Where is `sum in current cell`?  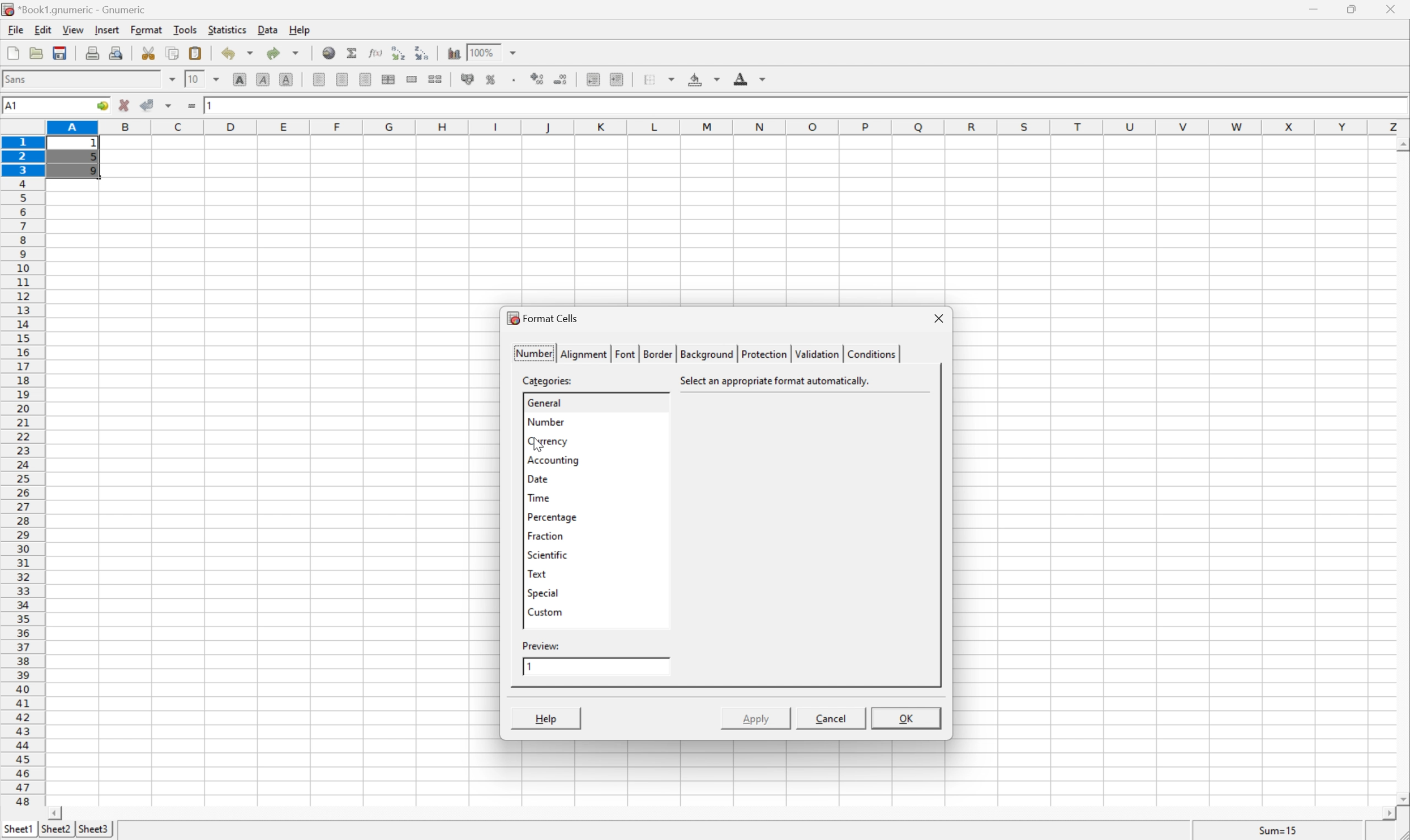
sum in current cell is located at coordinates (354, 53).